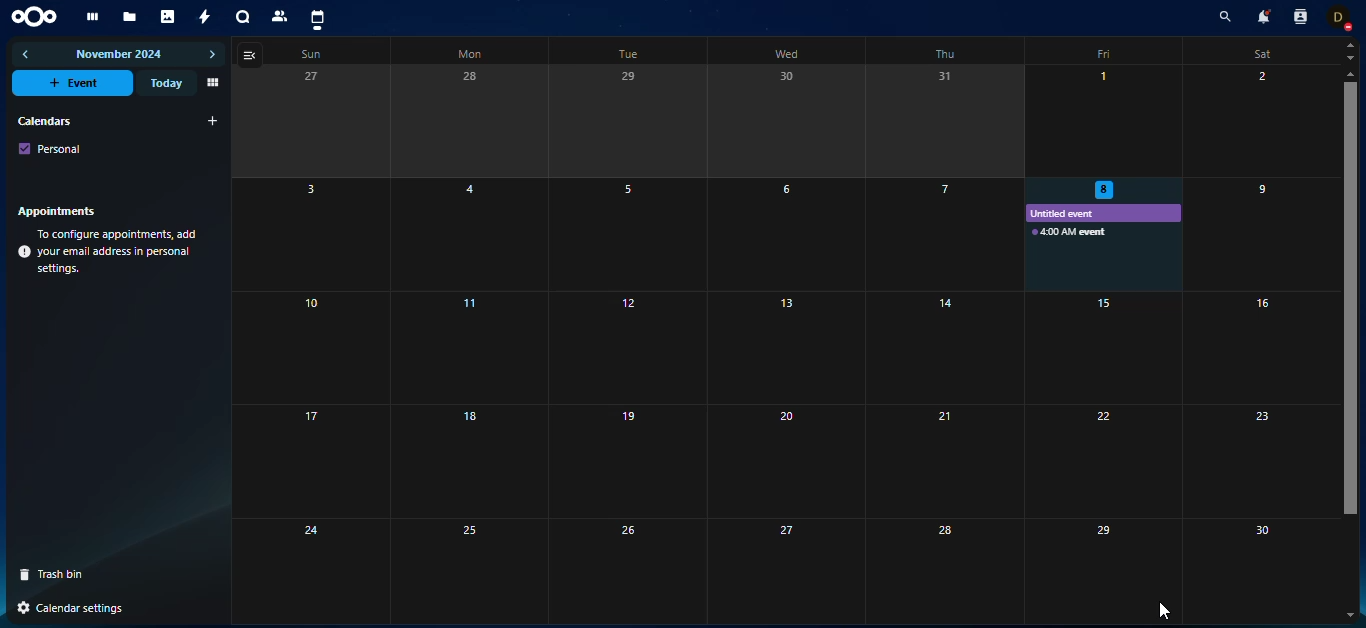 The height and width of the screenshot is (628, 1366). Describe the element at coordinates (1071, 214) in the screenshot. I see `untitled event` at that location.